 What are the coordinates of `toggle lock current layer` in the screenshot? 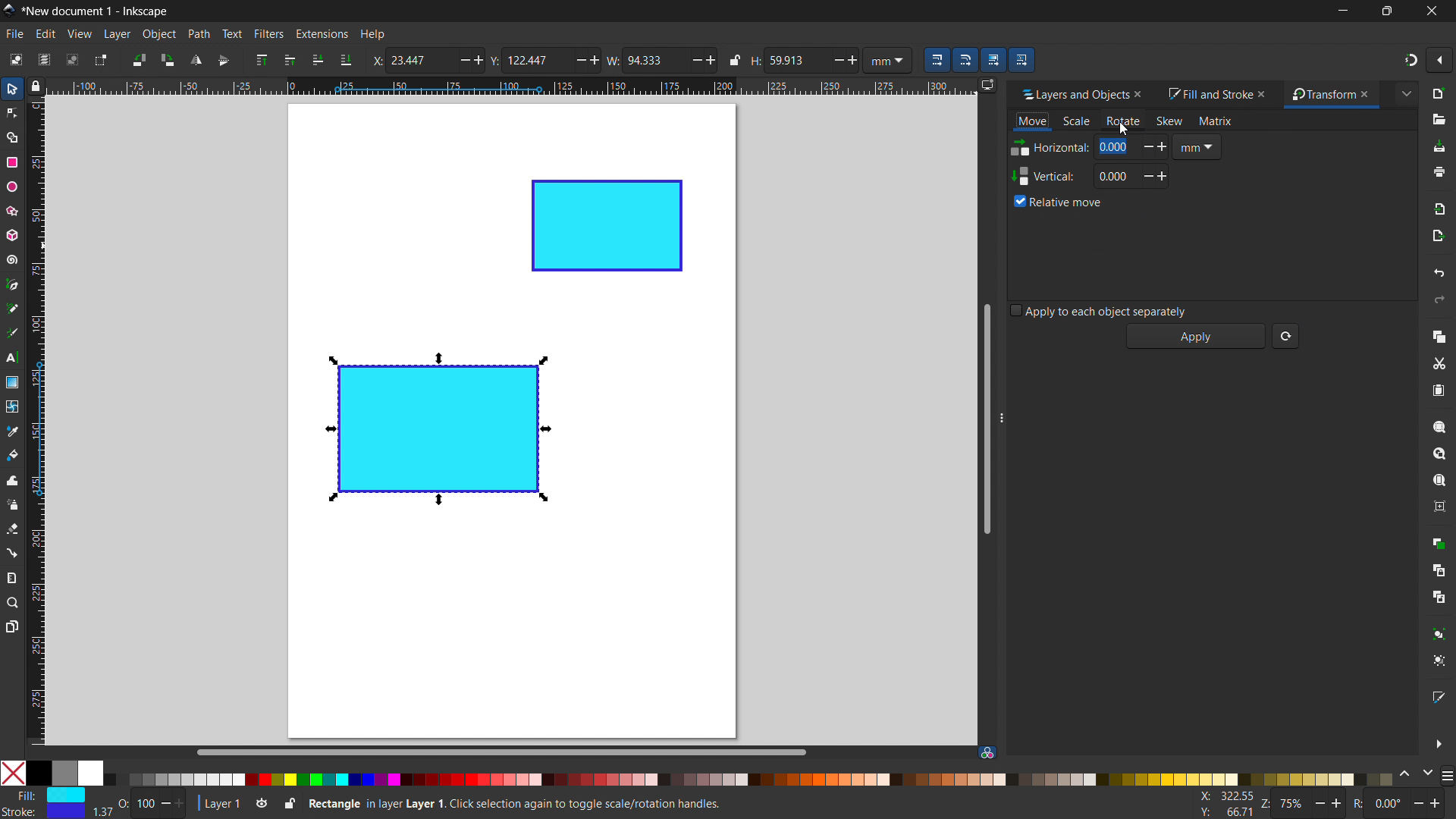 It's located at (289, 802).